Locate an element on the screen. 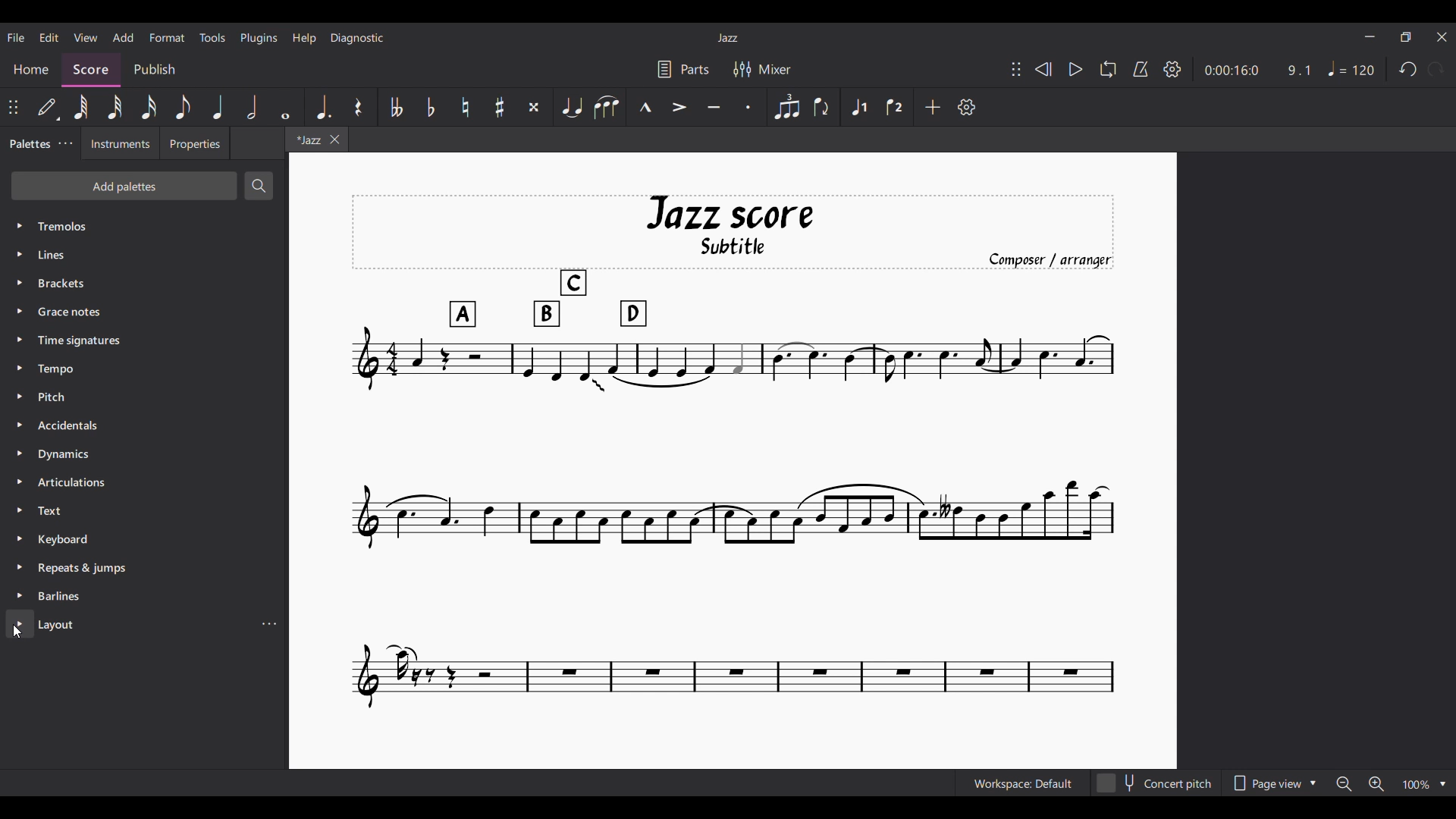 The image size is (1456, 819). 16th note is located at coordinates (148, 107).